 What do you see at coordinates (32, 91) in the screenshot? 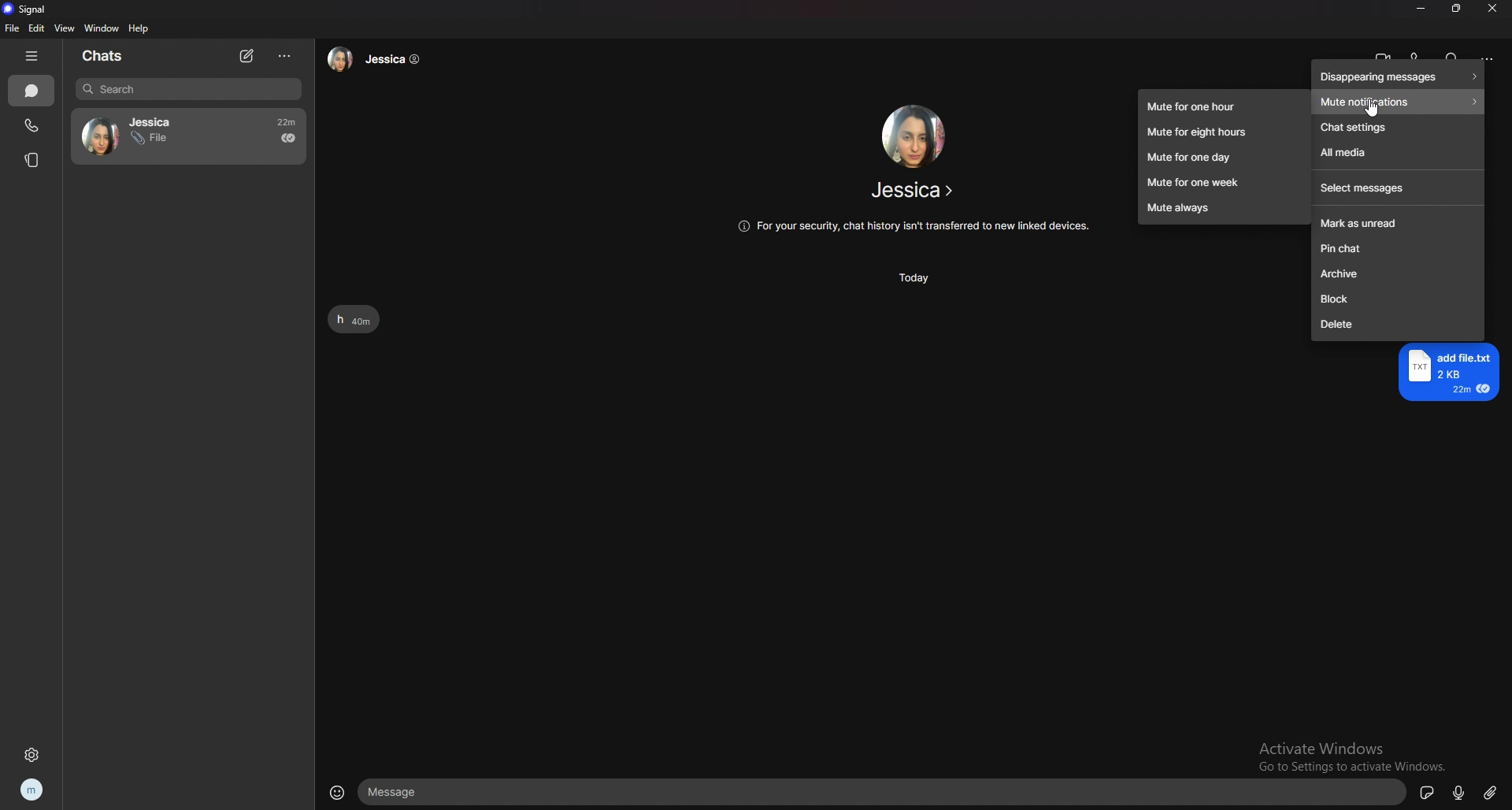
I see `chats` at bounding box center [32, 91].